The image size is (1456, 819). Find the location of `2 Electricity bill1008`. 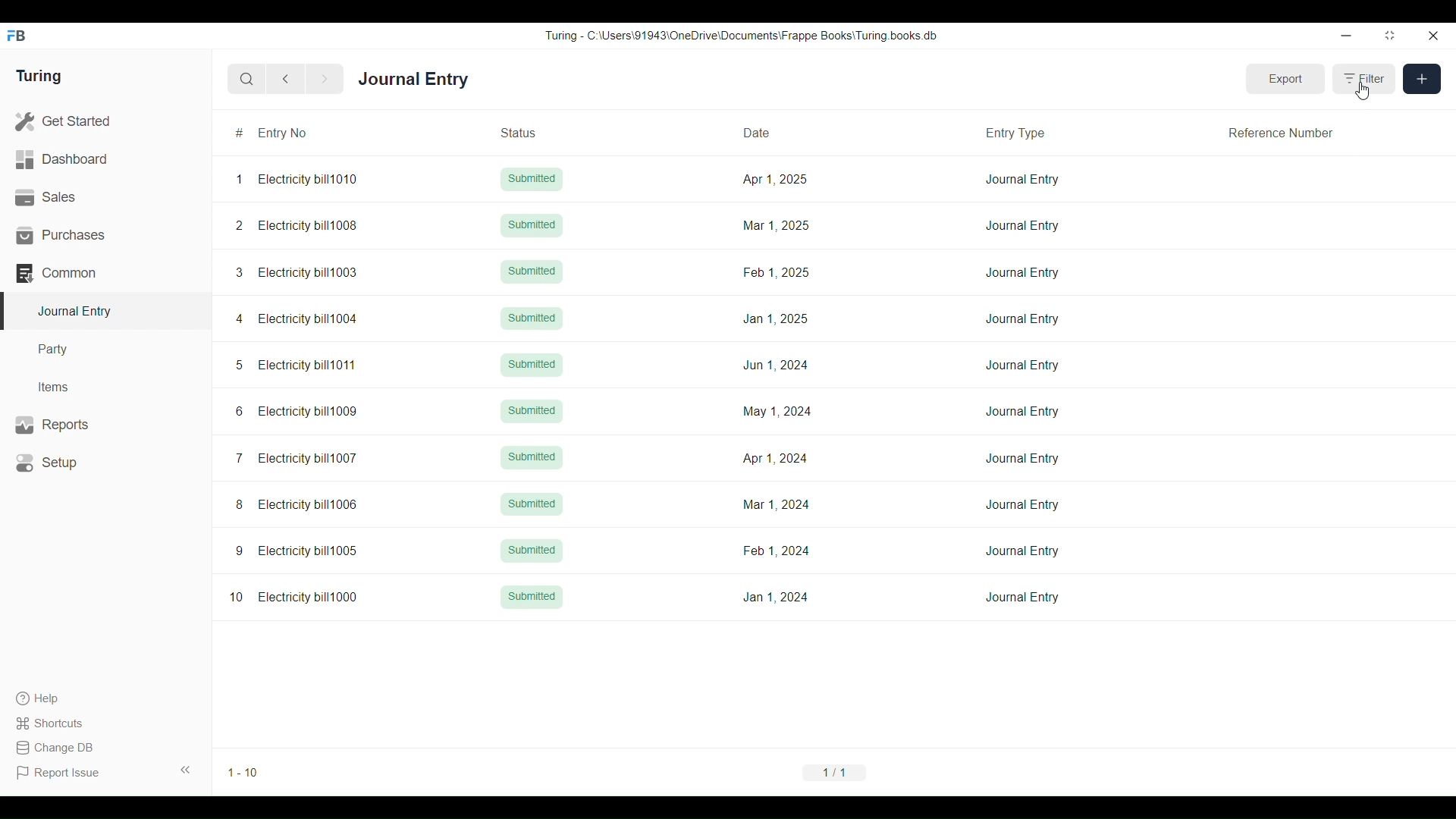

2 Electricity bill1008 is located at coordinates (297, 225).